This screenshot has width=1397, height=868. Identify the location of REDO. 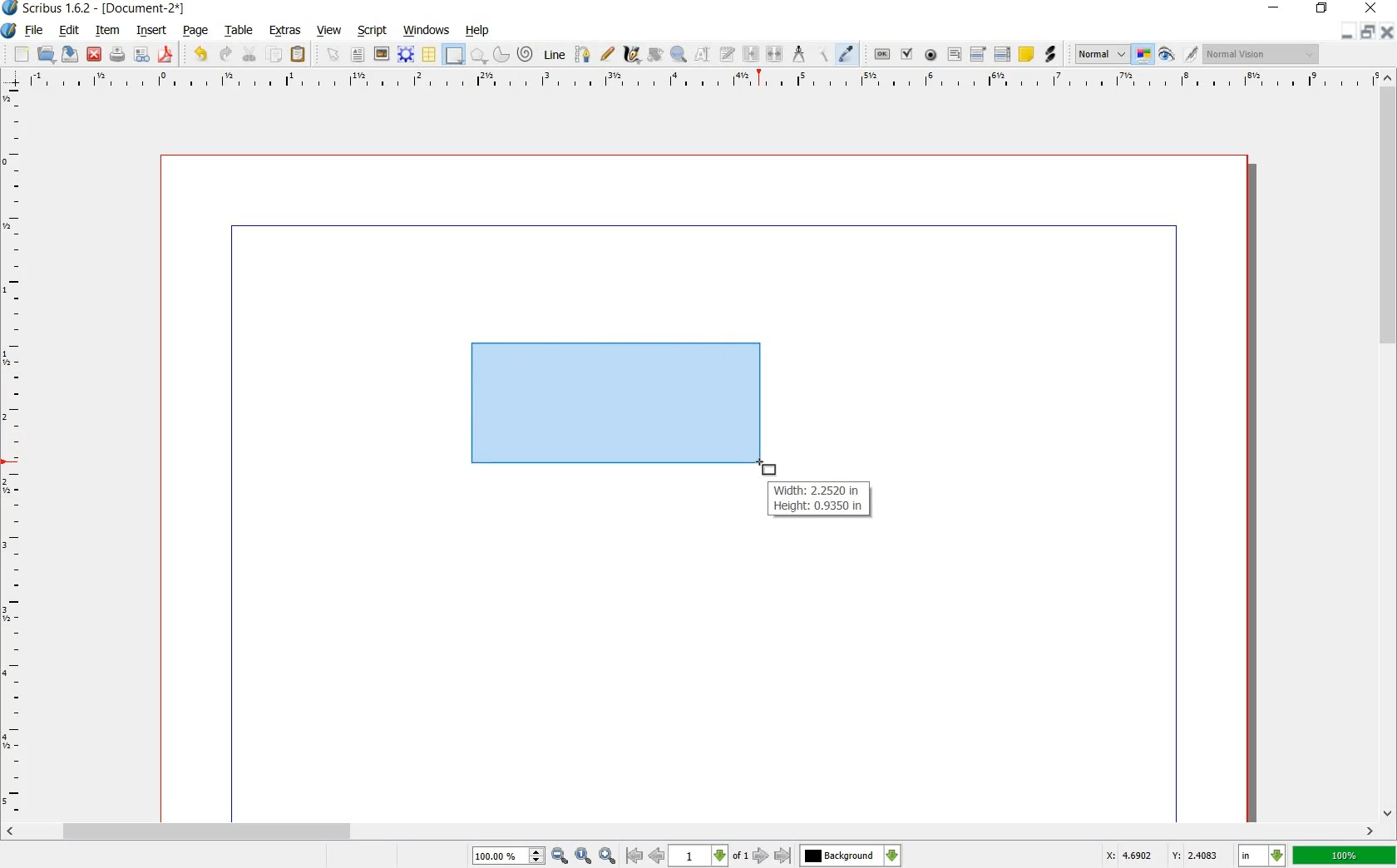
(226, 55).